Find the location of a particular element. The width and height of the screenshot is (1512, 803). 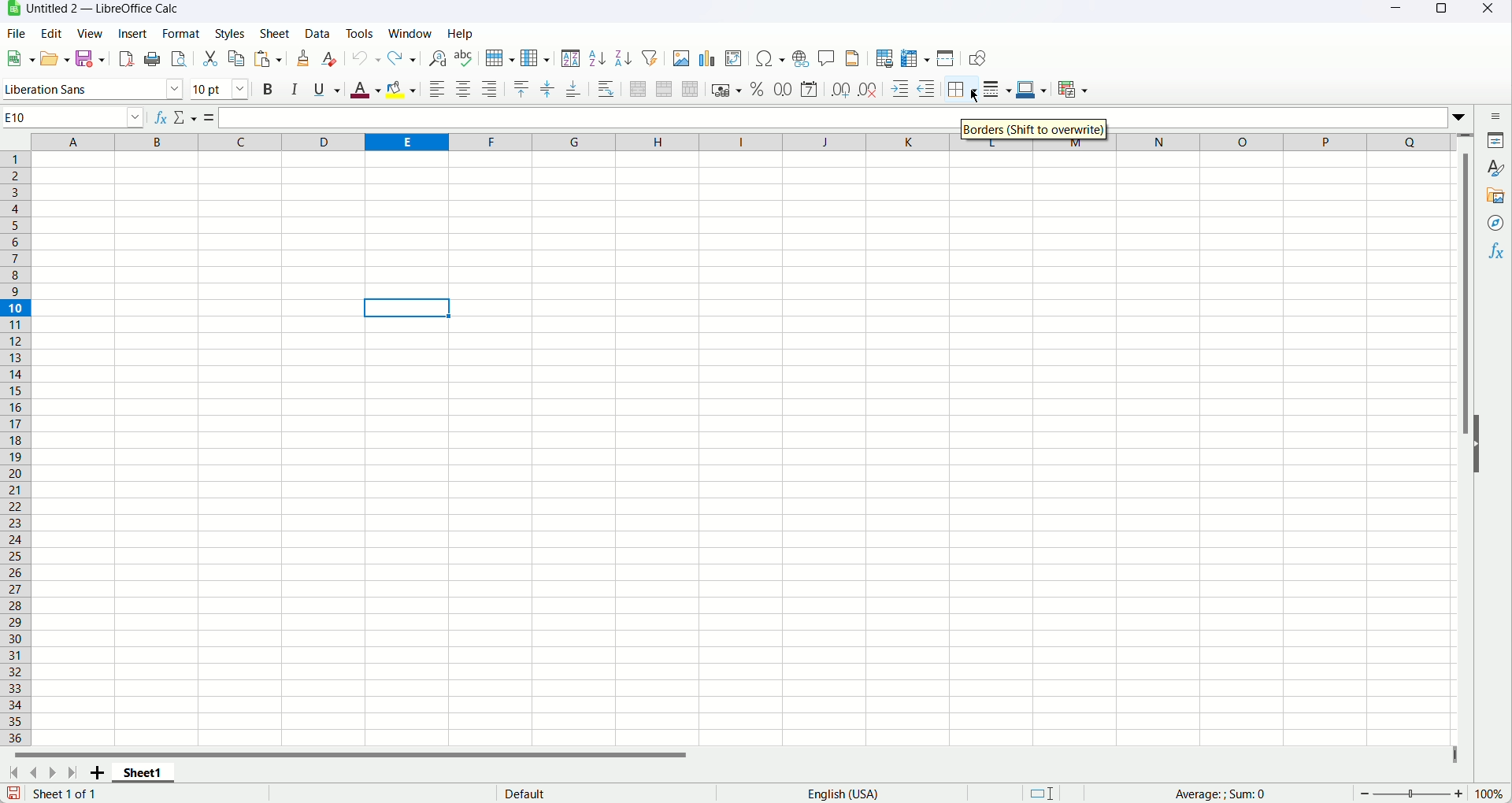

Align bottom is located at coordinates (574, 87).